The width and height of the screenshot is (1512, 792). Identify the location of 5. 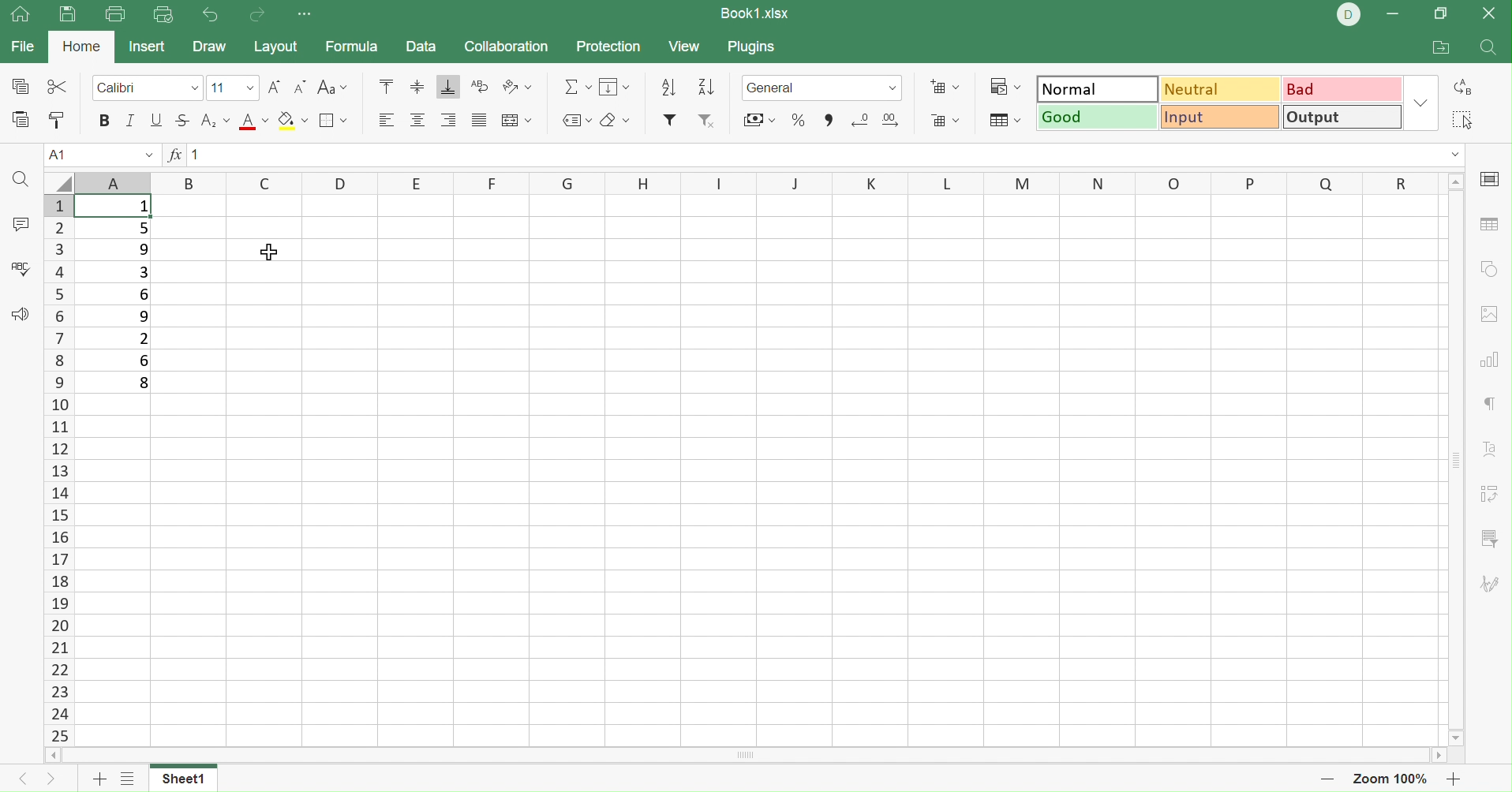
(141, 229).